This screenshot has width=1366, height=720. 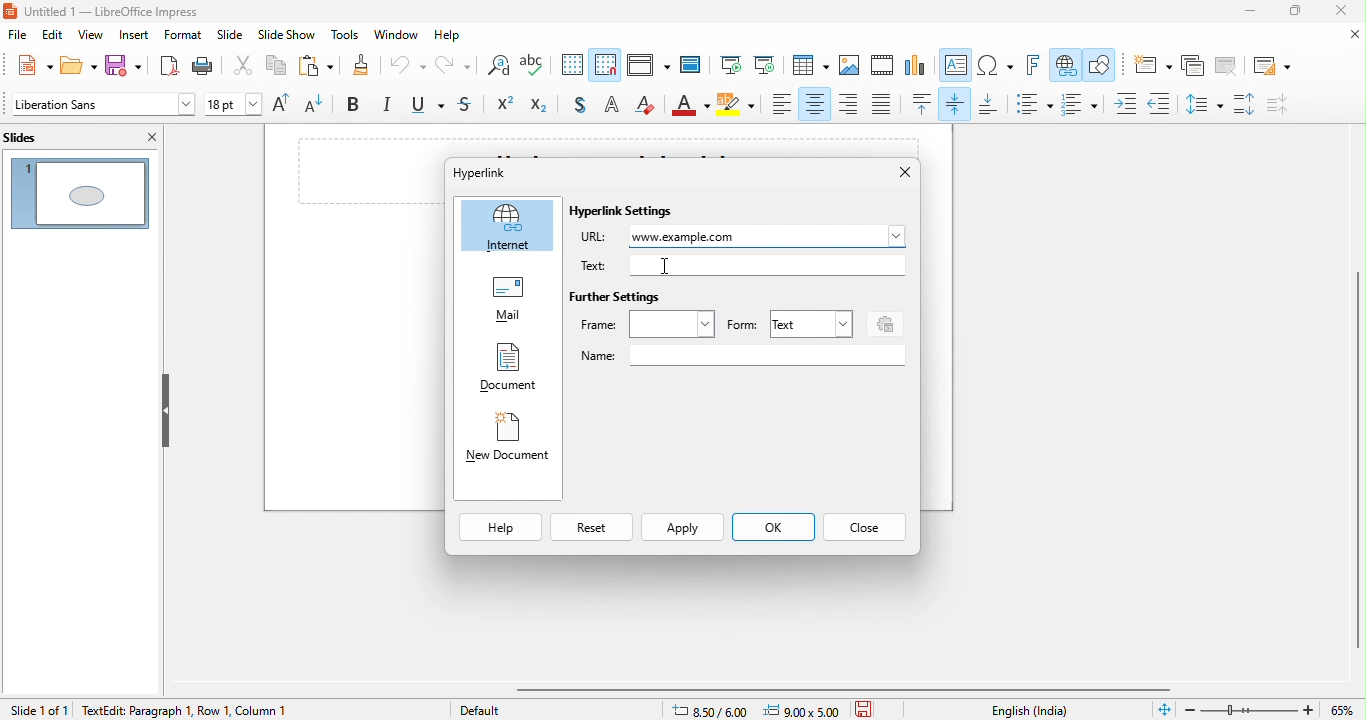 What do you see at coordinates (805, 709) in the screenshot?
I see `9.00 x5.00` at bounding box center [805, 709].